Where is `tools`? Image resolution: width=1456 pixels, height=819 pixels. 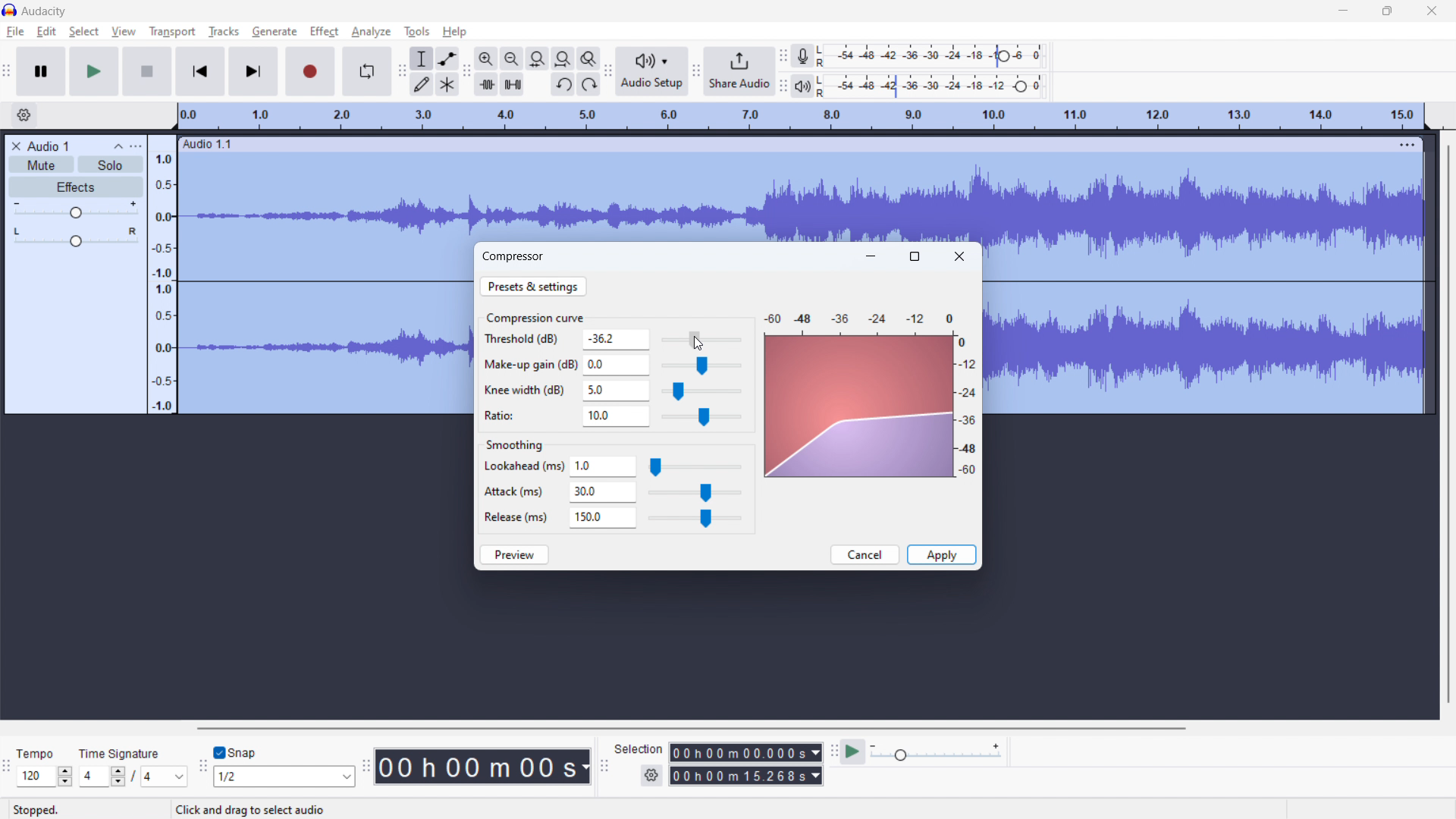 tools is located at coordinates (417, 32).